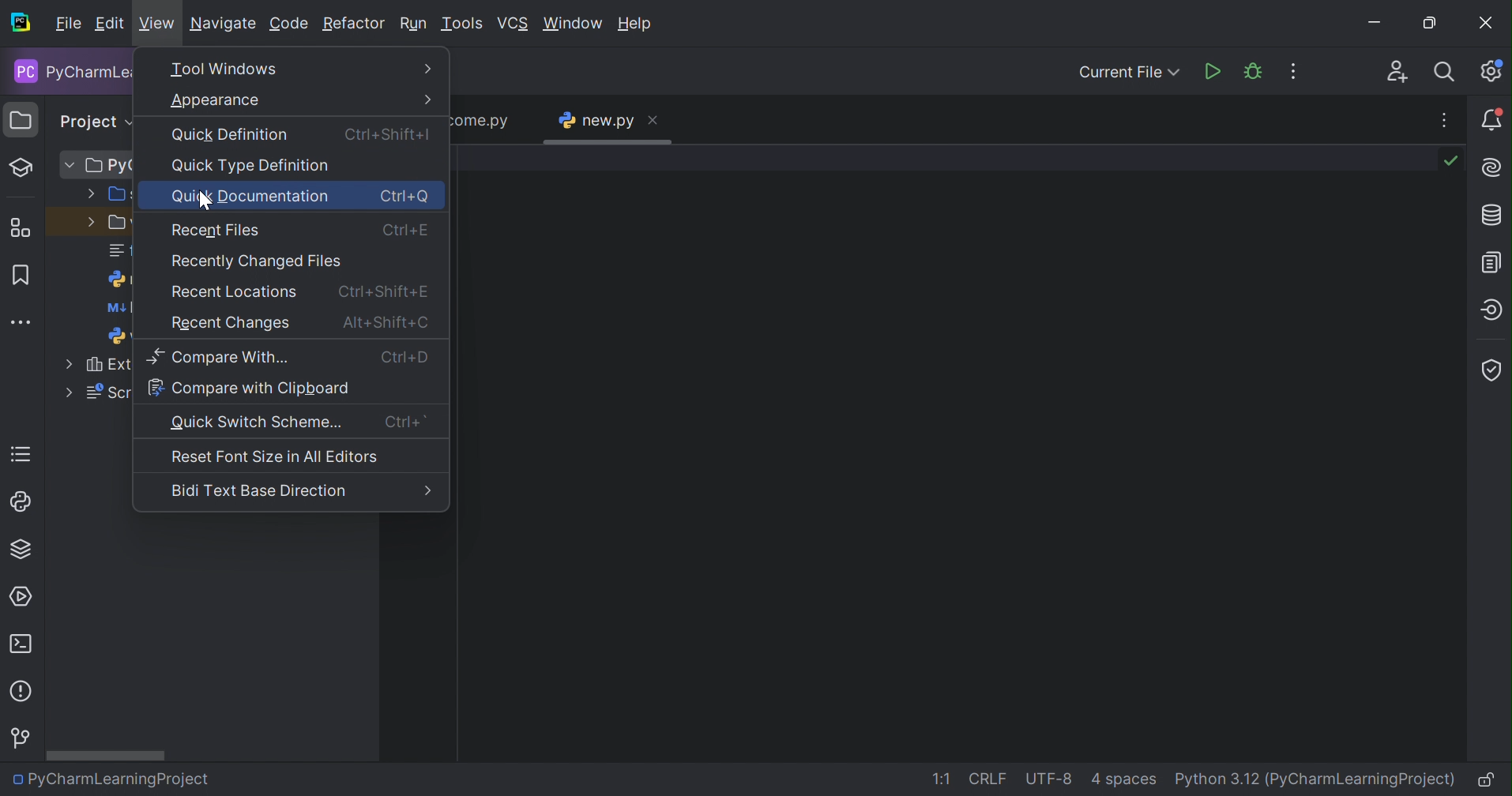 This screenshot has width=1512, height=796. What do you see at coordinates (119, 253) in the screenshot?
I see `feature-trainer-version.txt` at bounding box center [119, 253].